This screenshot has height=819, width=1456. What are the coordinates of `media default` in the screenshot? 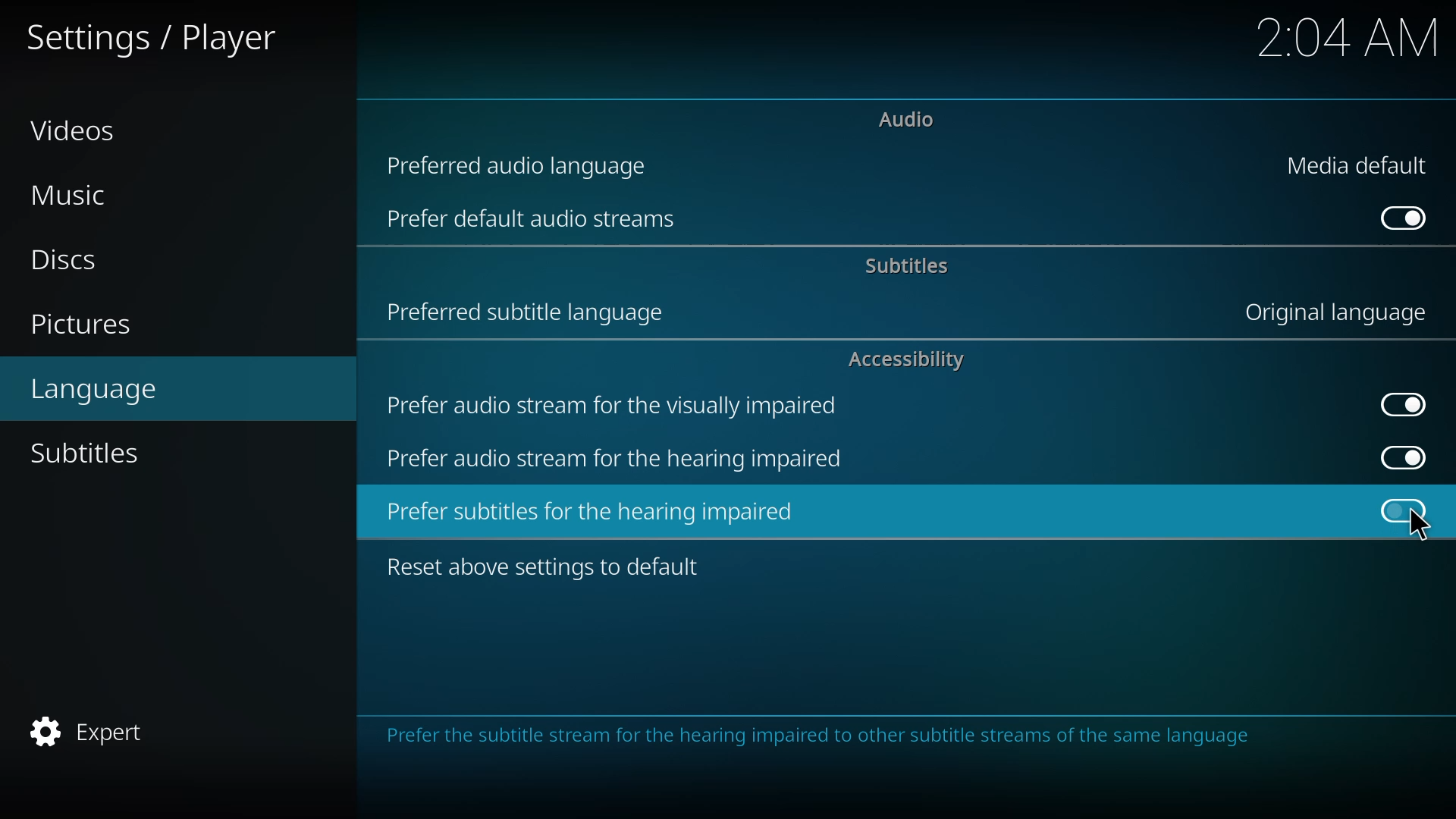 It's located at (1357, 163).